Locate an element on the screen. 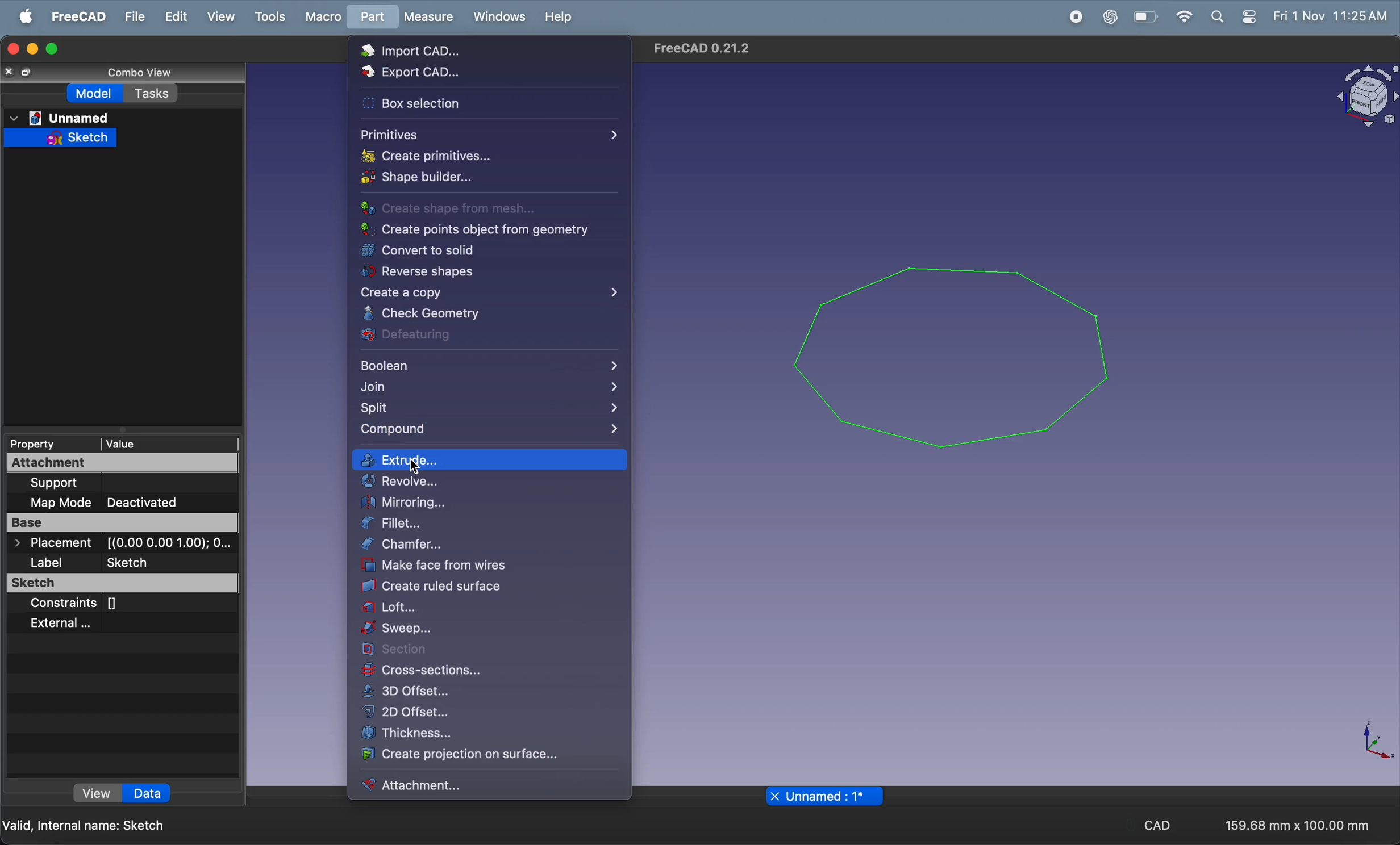 The height and width of the screenshot is (845, 1400). join is located at coordinates (489, 390).